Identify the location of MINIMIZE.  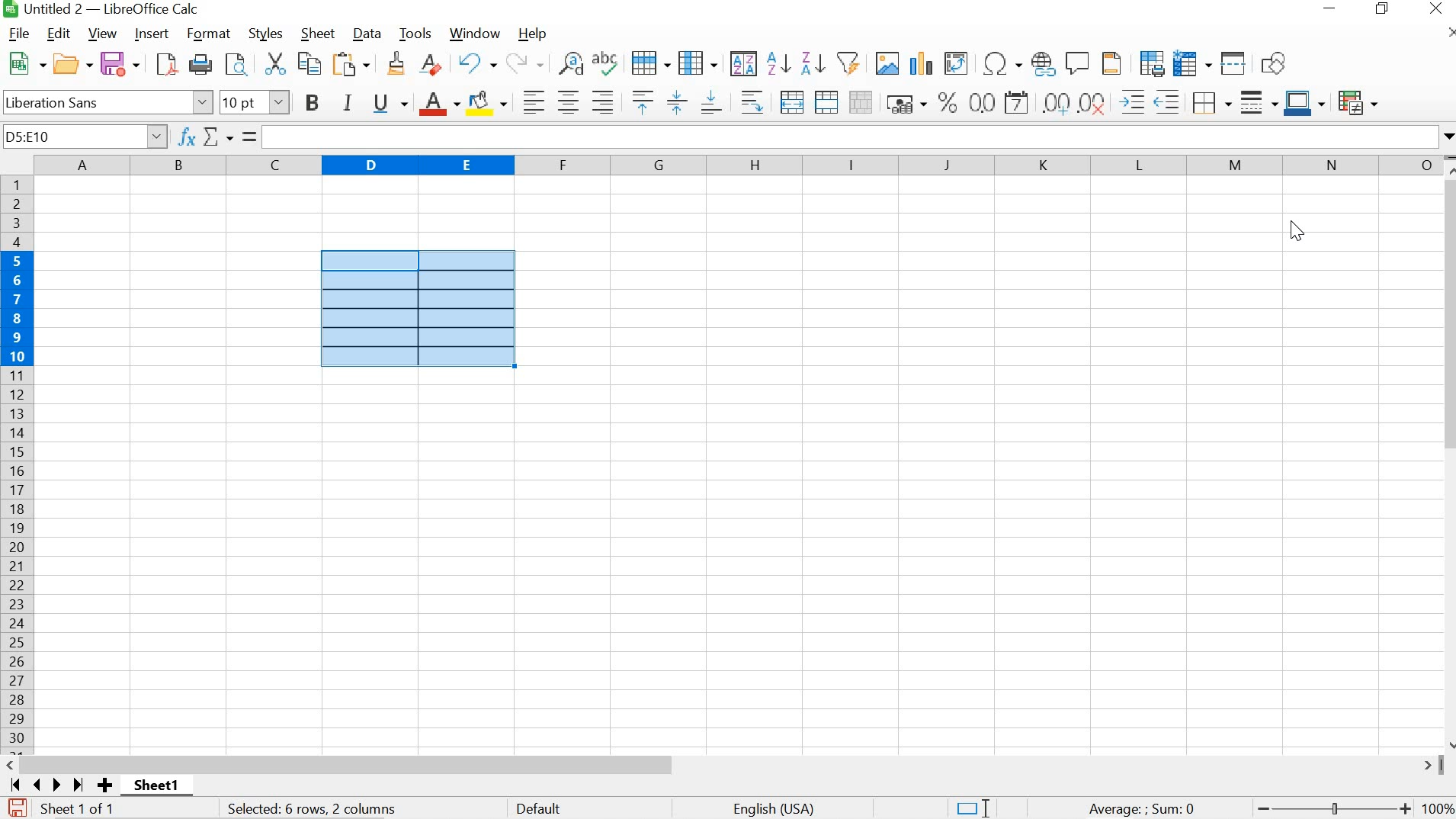
(1329, 8).